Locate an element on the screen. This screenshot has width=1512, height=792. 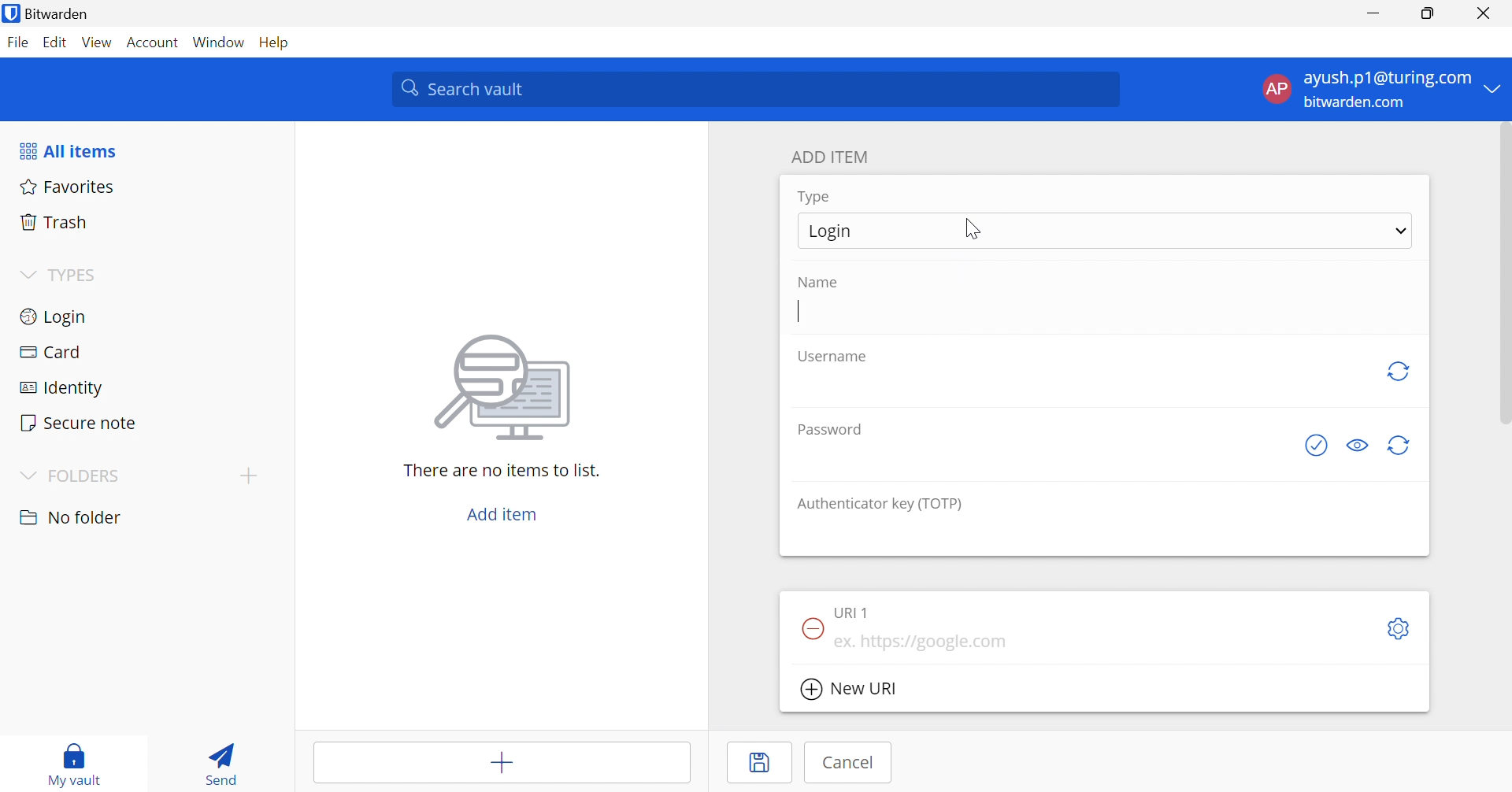
account menu is located at coordinates (1379, 90).